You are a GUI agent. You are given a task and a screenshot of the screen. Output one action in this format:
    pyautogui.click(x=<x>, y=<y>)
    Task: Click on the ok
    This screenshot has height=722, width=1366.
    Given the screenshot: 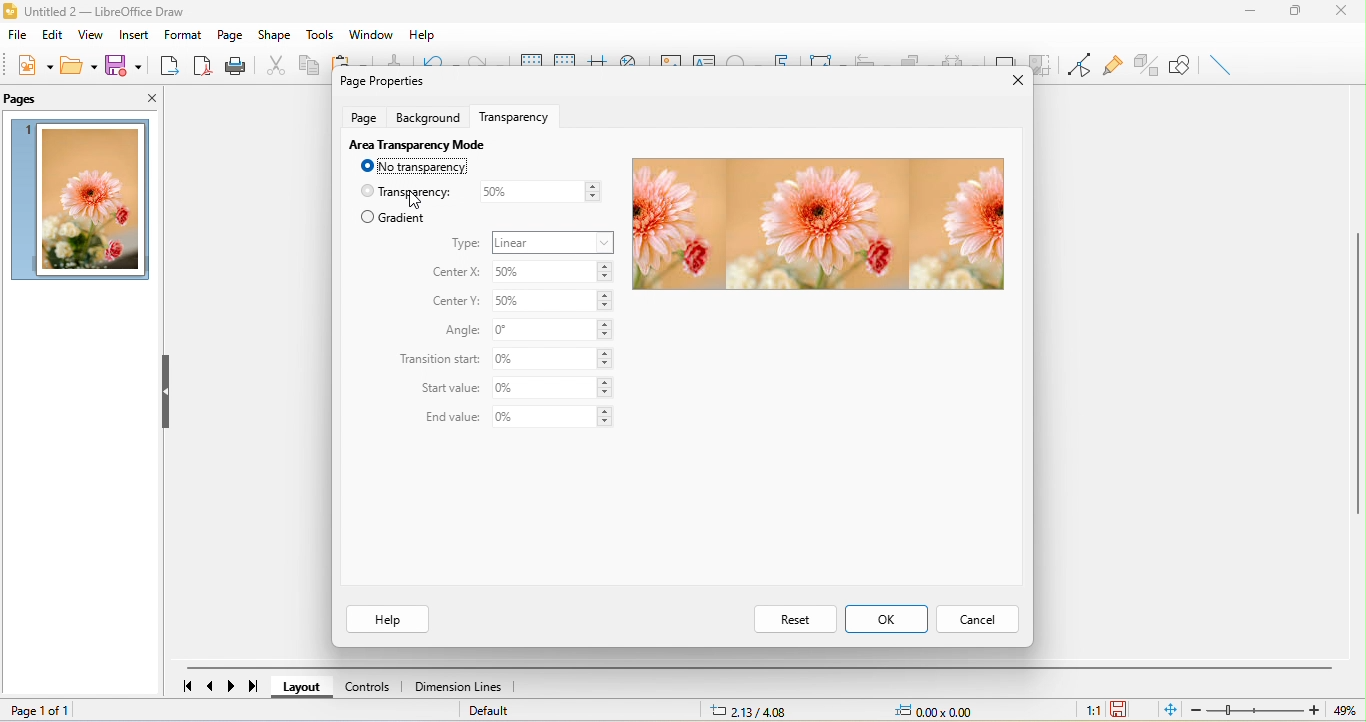 What is the action you would take?
    pyautogui.click(x=886, y=618)
    